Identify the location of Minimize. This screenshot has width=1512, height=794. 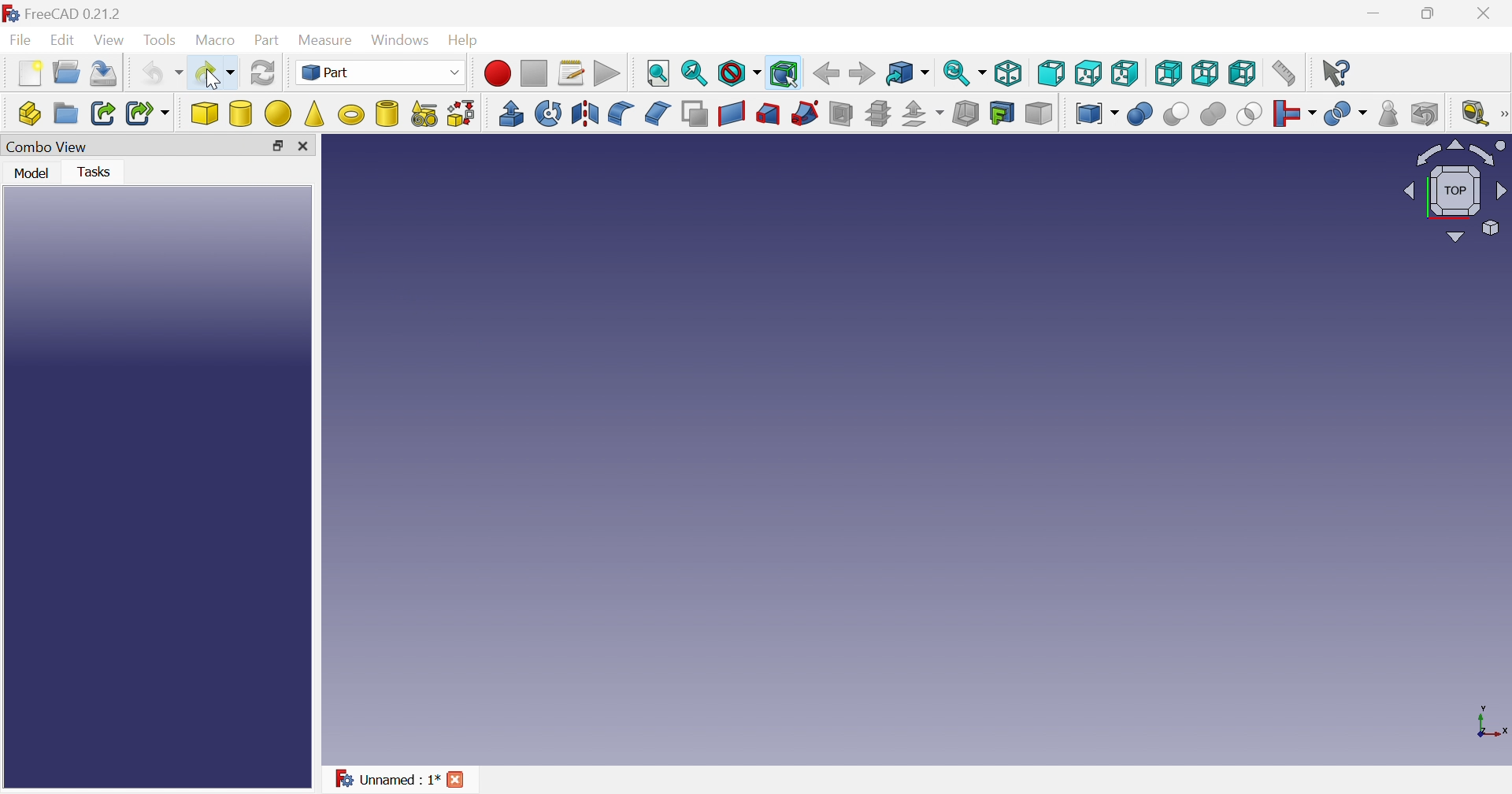
(1374, 15).